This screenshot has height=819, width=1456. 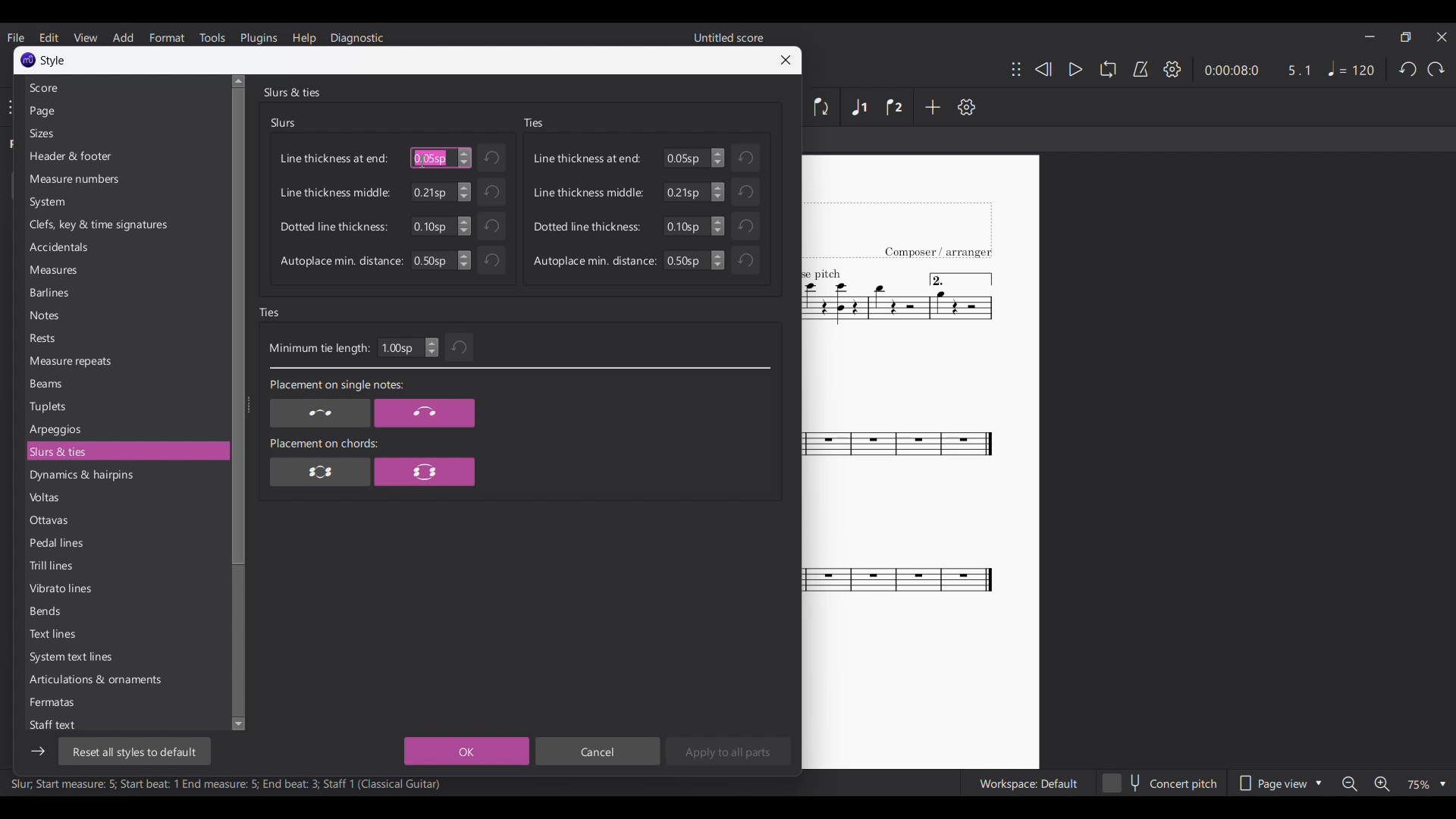 What do you see at coordinates (54, 61) in the screenshot?
I see `Style` at bounding box center [54, 61].